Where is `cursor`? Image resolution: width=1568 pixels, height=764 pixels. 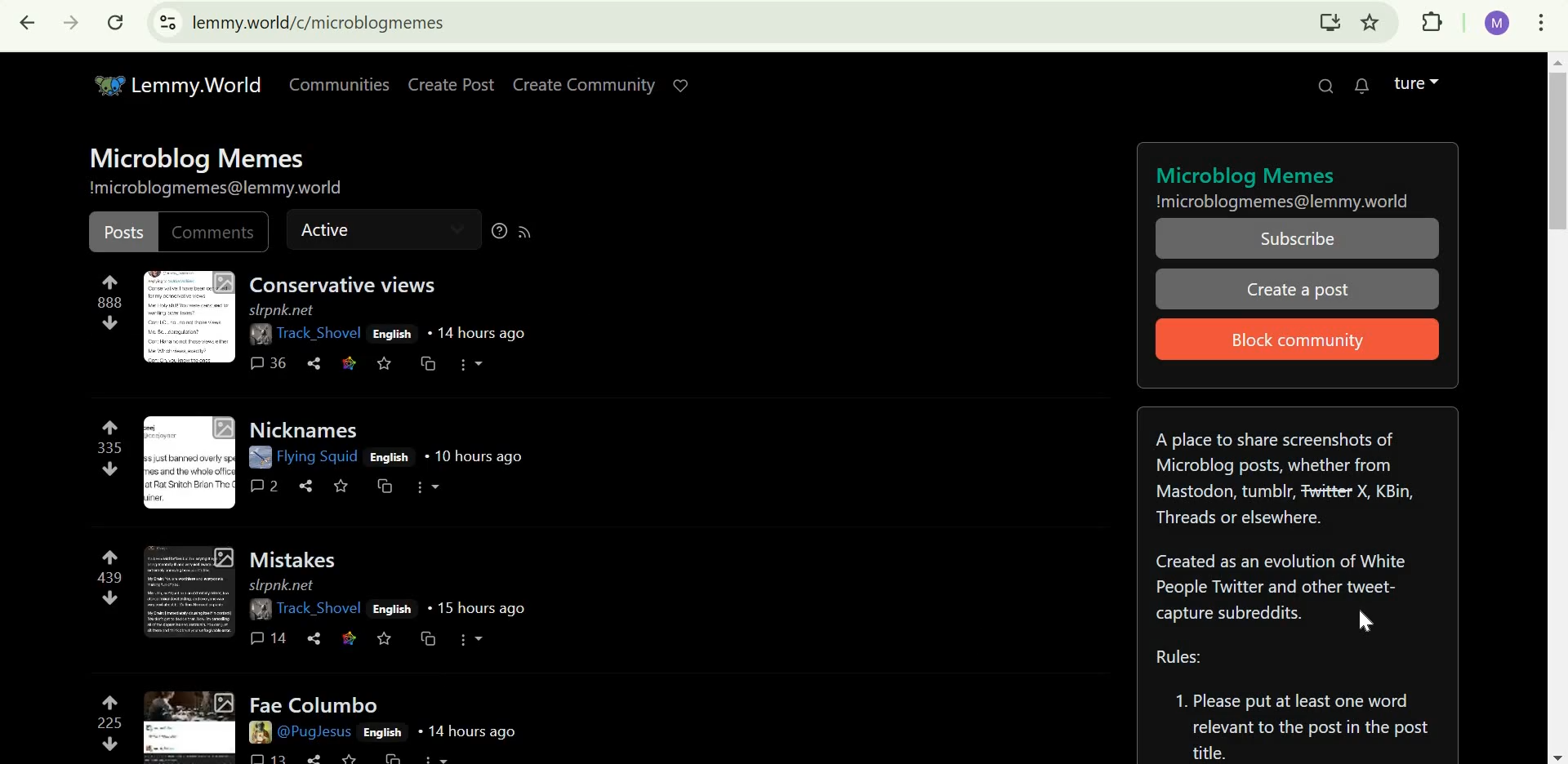 cursor is located at coordinates (1370, 618).